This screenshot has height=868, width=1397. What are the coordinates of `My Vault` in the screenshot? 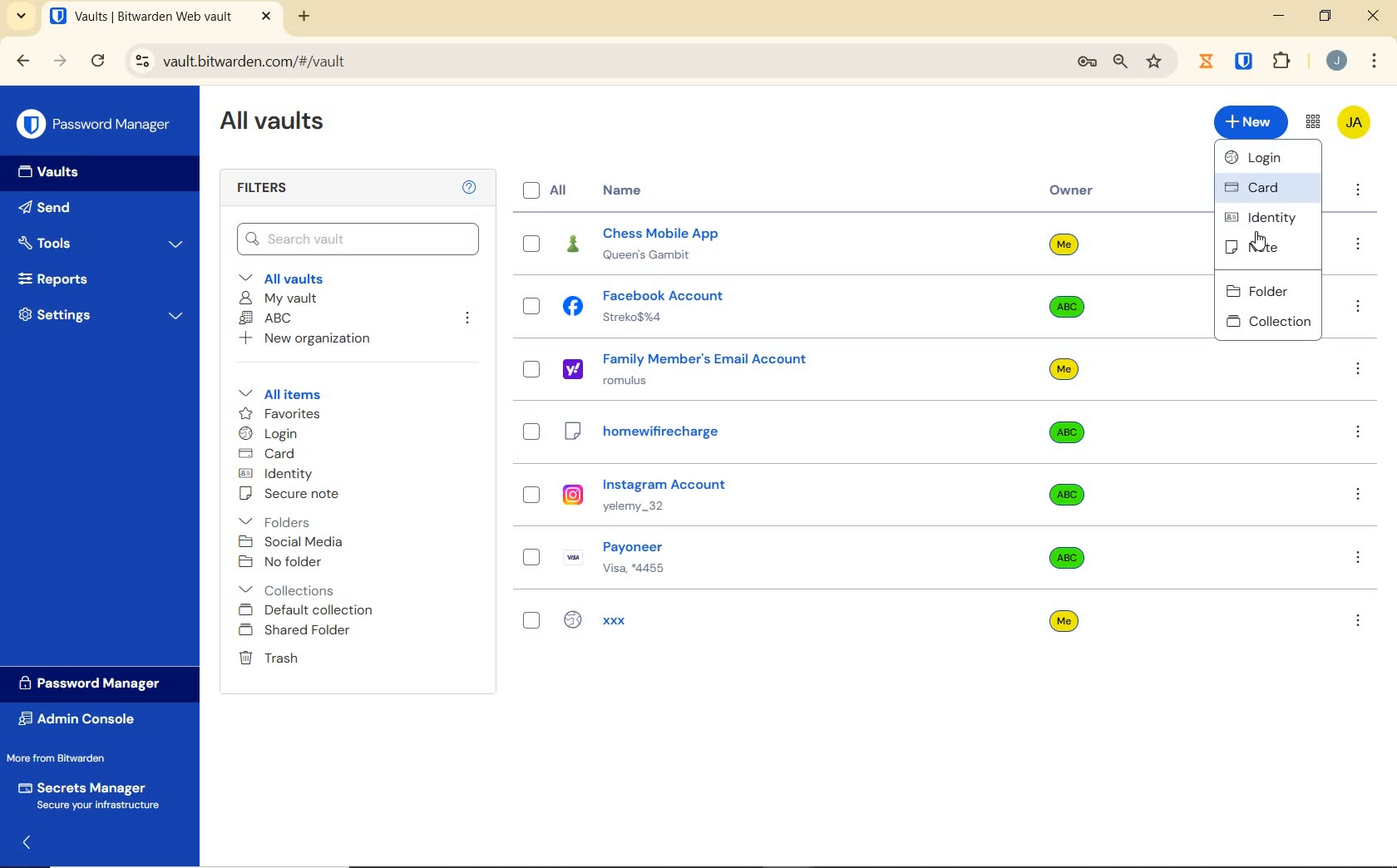 It's located at (280, 298).